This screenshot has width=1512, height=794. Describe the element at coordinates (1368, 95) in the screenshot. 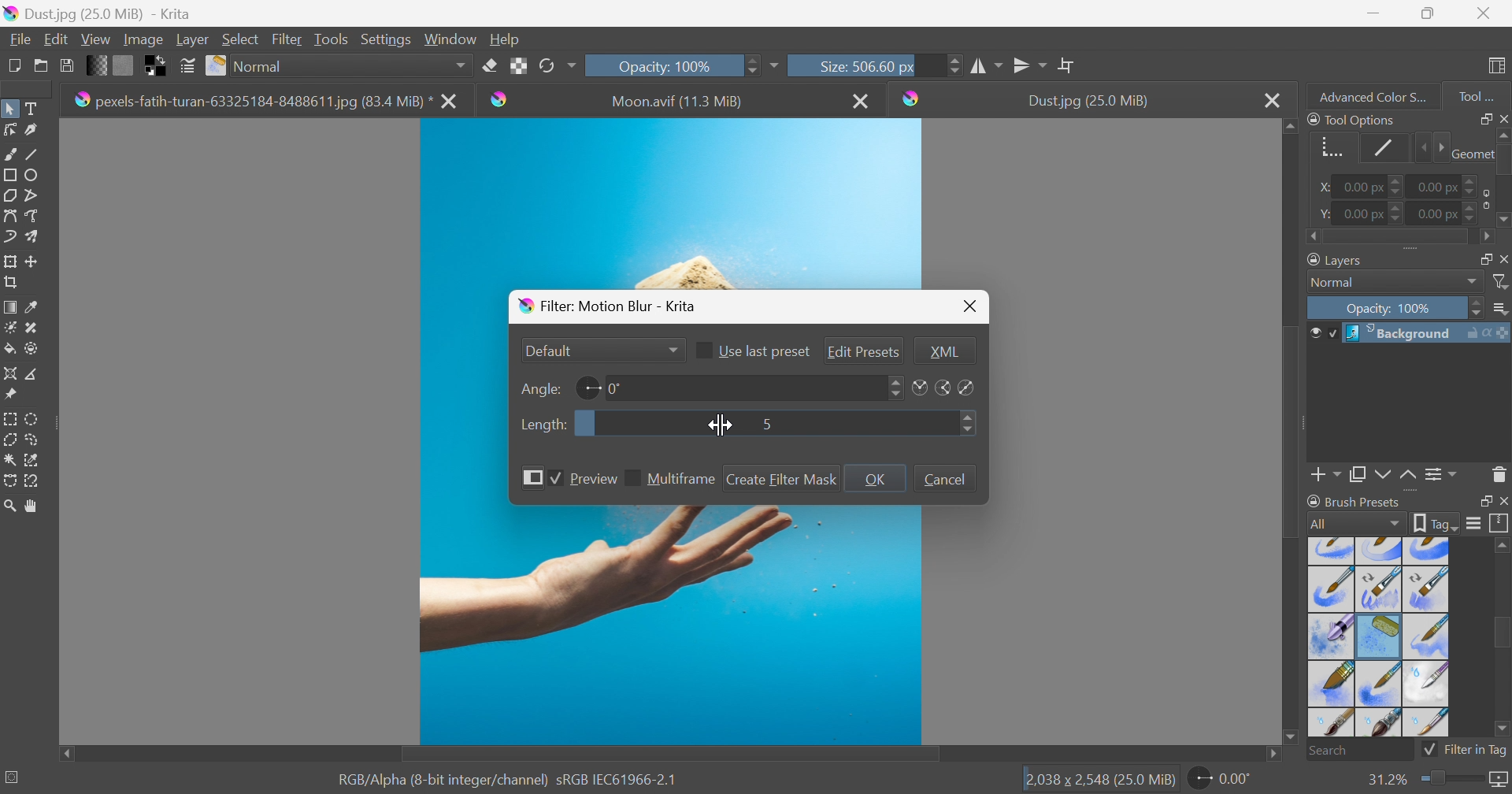

I see `Advanced color s...` at that location.